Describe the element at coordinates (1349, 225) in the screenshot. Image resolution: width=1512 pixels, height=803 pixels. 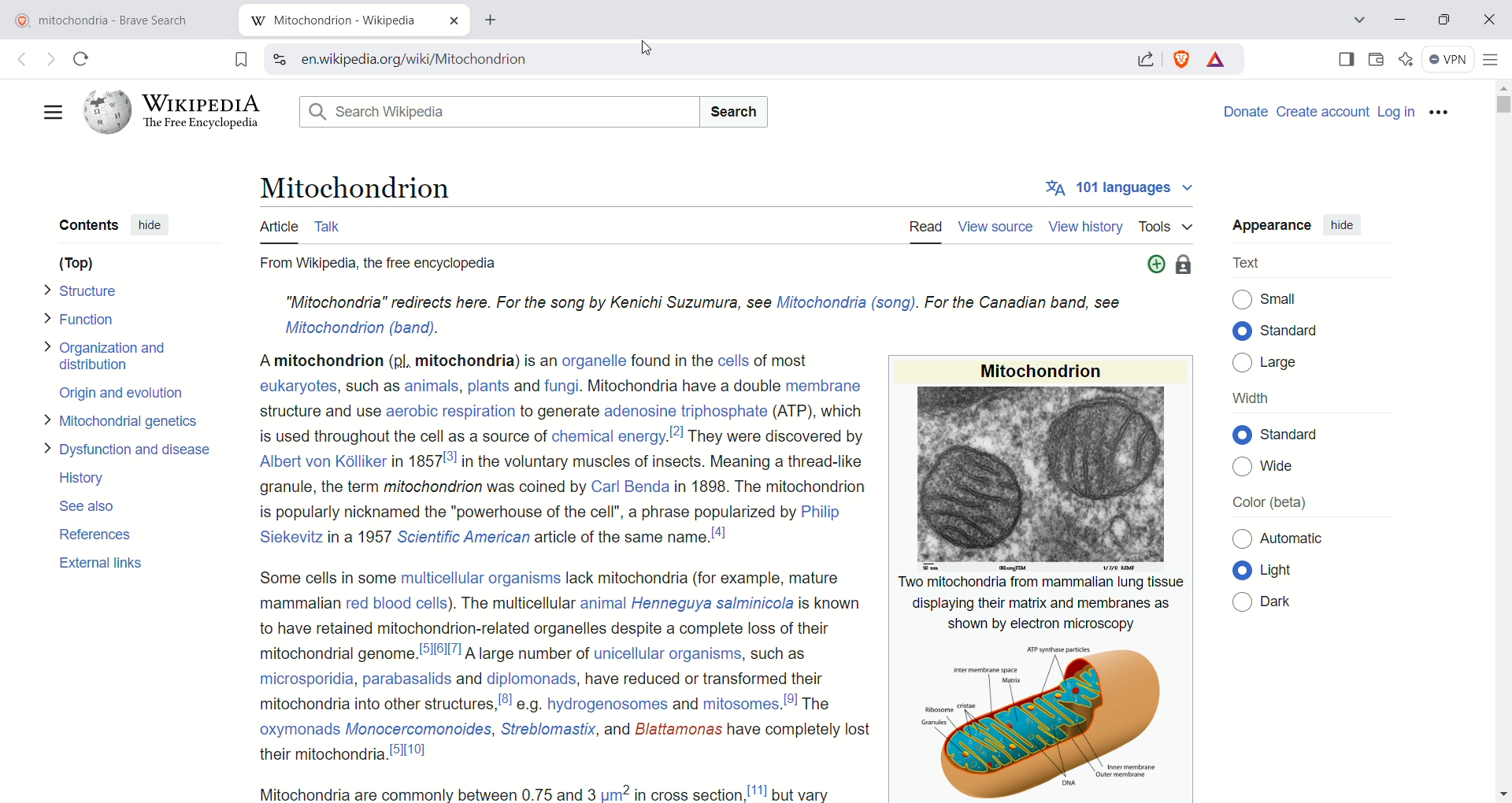
I see `Hide` at that location.